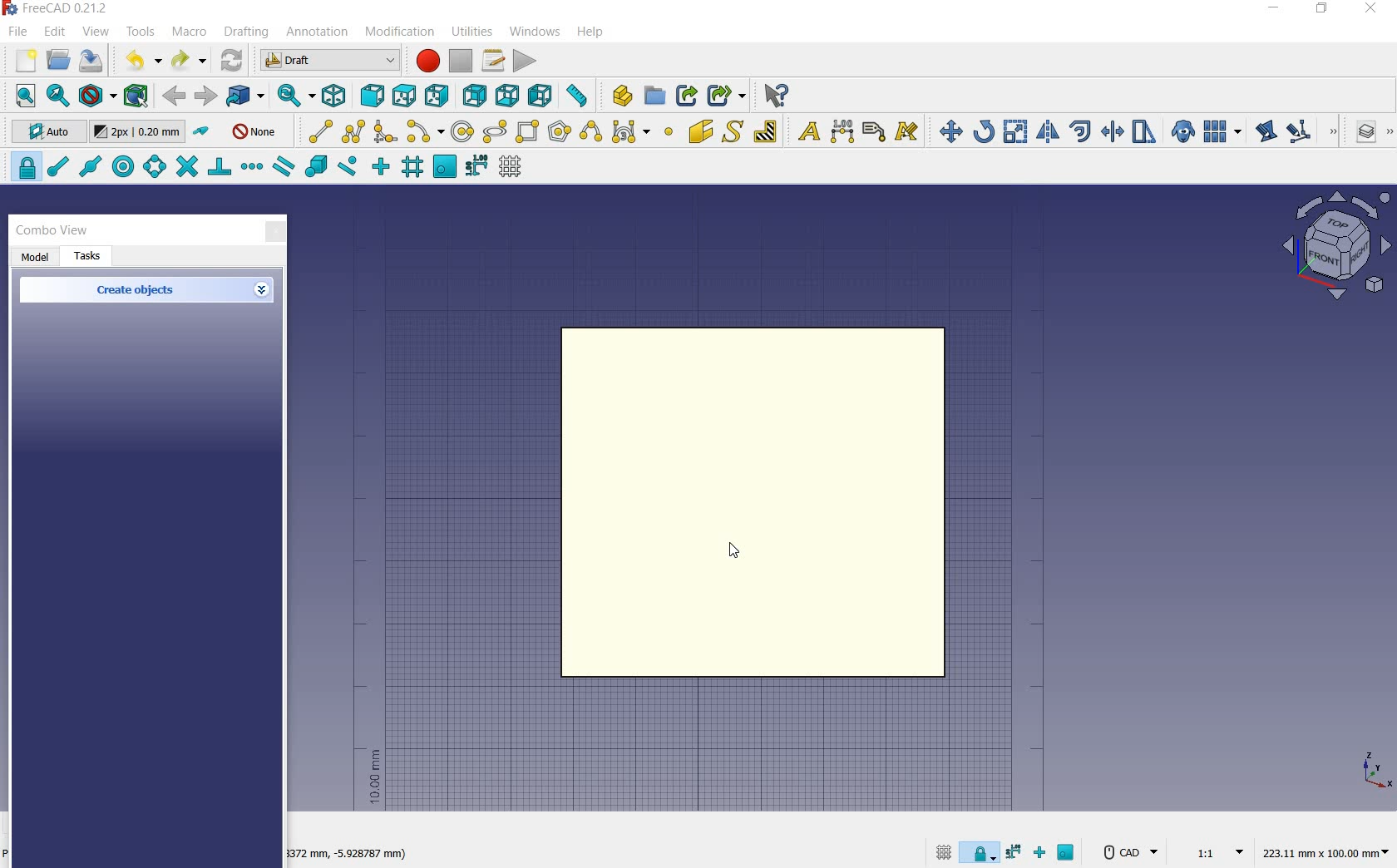 The image size is (1397, 868). Describe the element at coordinates (19, 62) in the screenshot. I see `new` at that location.